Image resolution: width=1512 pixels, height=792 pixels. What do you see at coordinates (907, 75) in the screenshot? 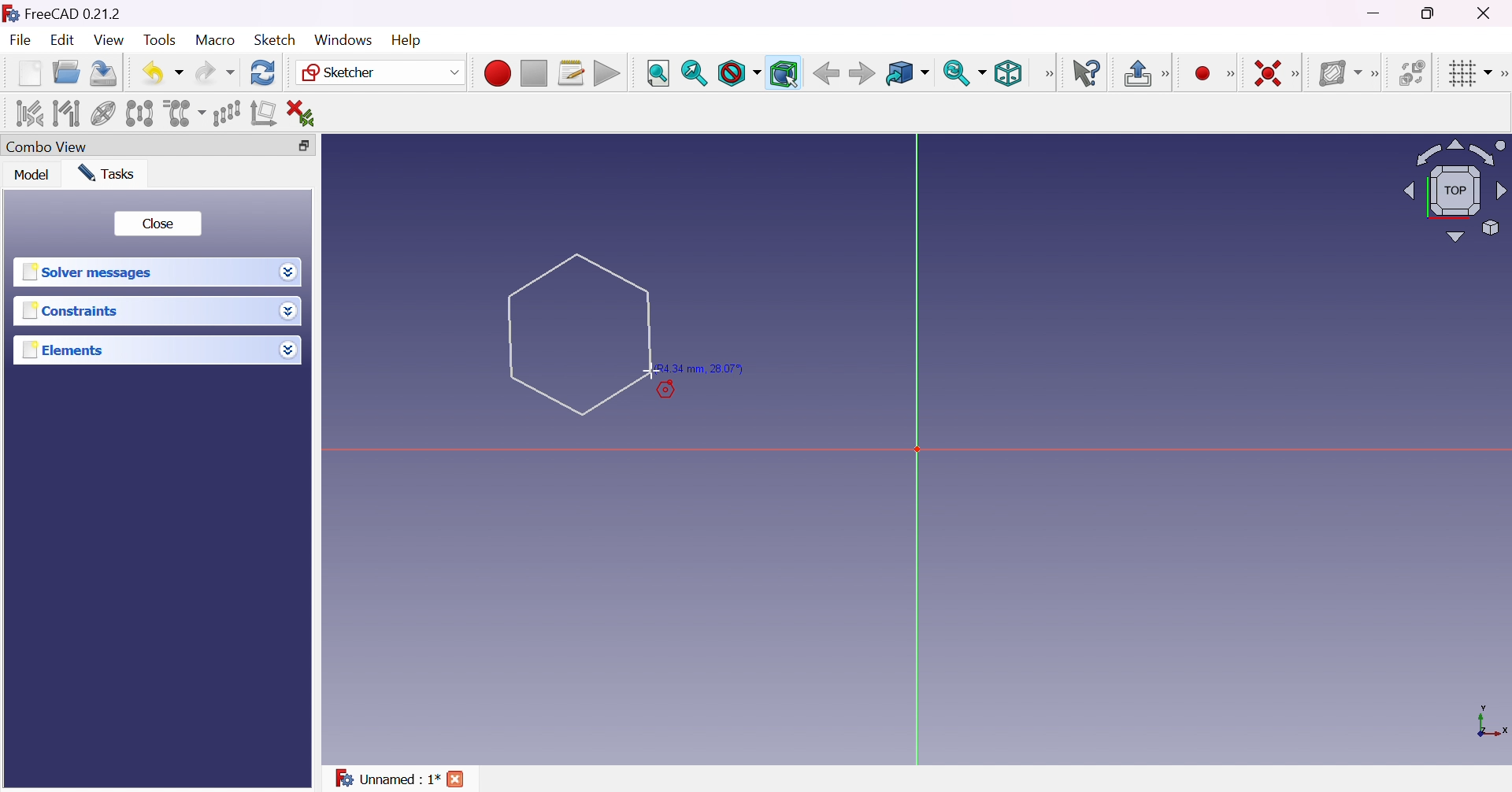
I see `Go to linked object` at bounding box center [907, 75].